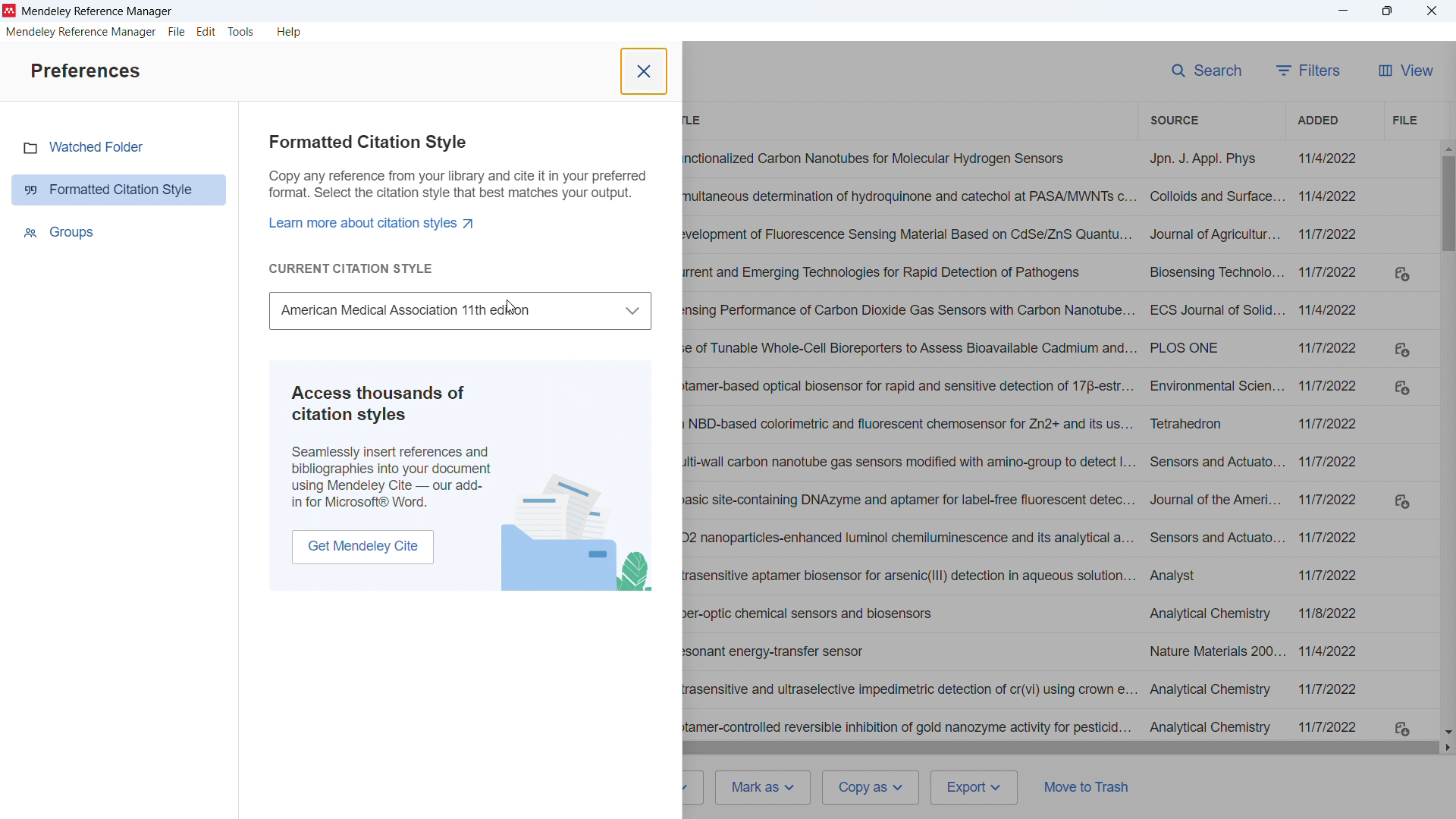 This screenshot has height=819, width=1456. What do you see at coordinates (1447, 205) in the screenshot?
I see `Vertical scroll bar ` at bounding box center [1447, 205].